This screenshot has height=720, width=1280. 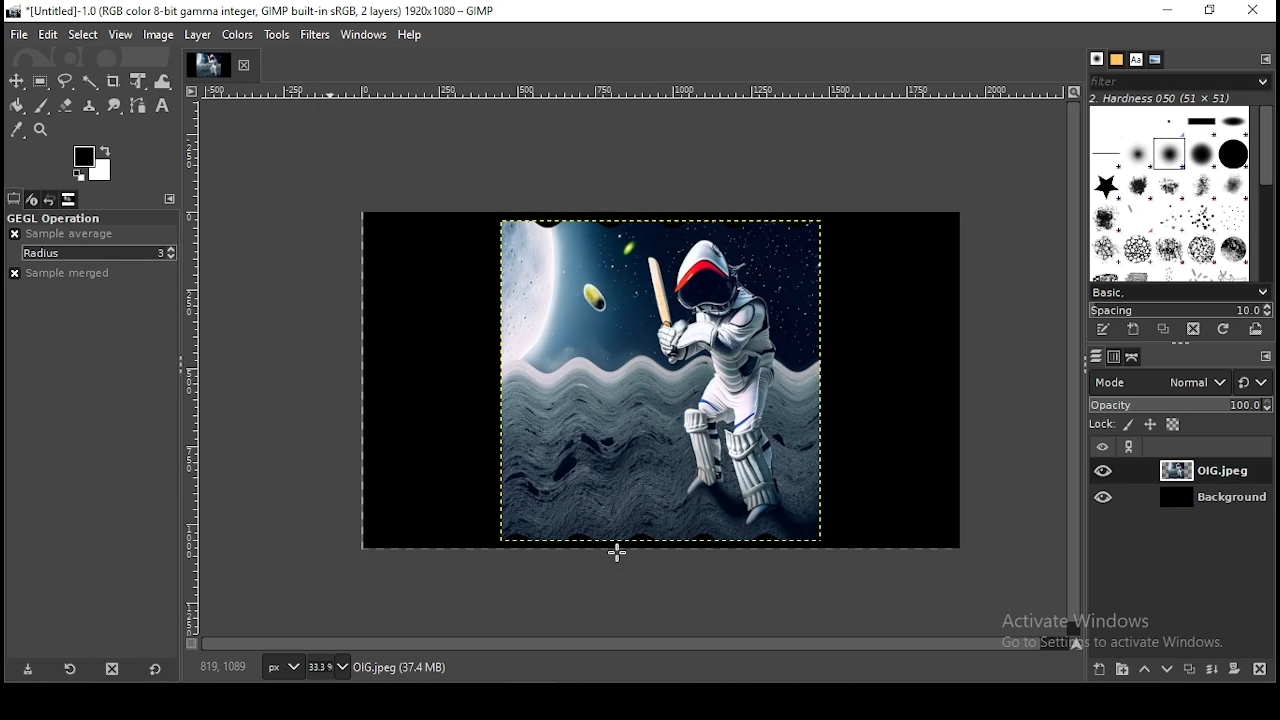 What do you see at coordinates (1115, 357) in the screenshot?
I see `channels ` at bounding box center [1115, 357].